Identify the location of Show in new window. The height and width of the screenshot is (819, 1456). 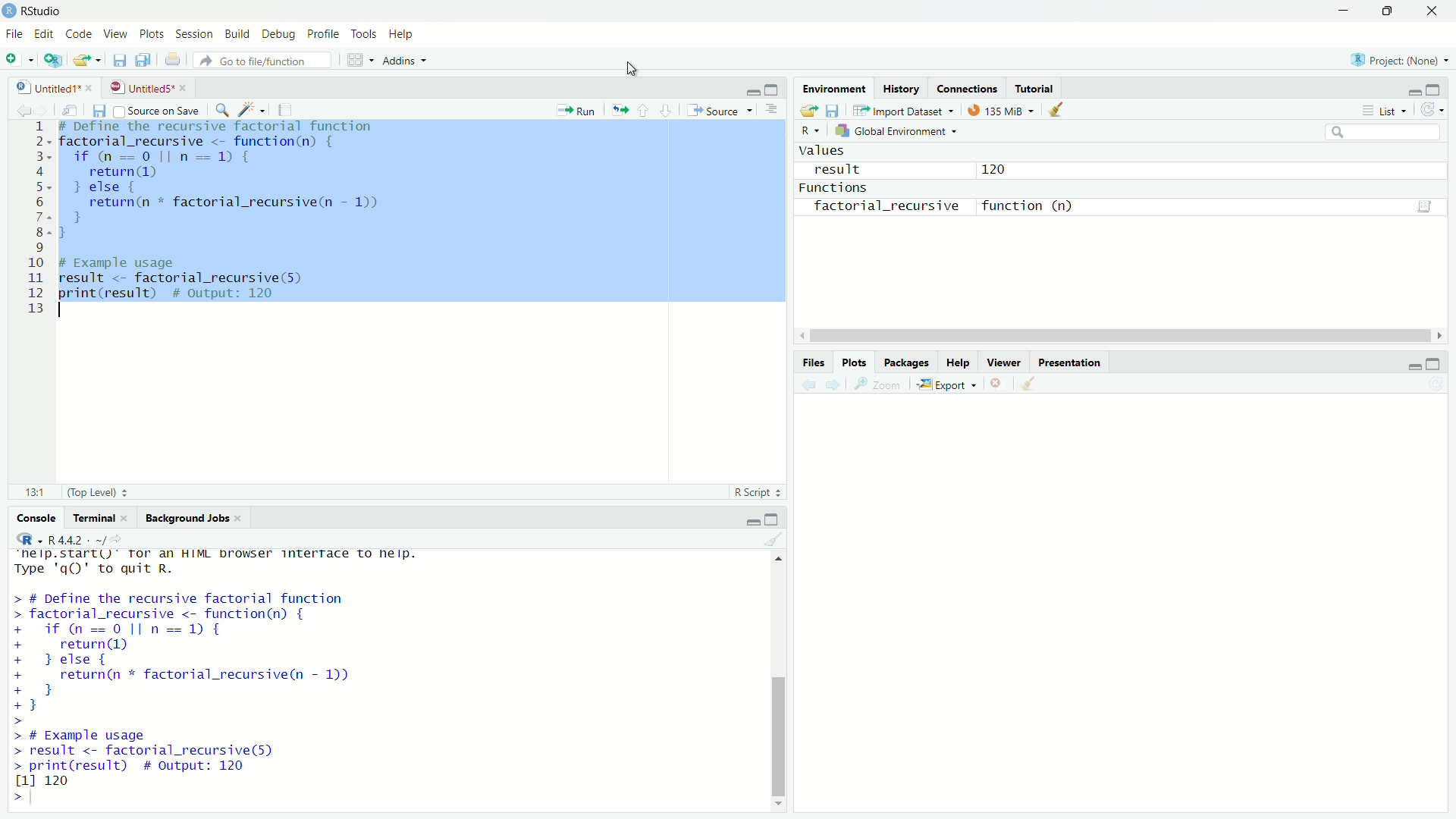
(74, 108).